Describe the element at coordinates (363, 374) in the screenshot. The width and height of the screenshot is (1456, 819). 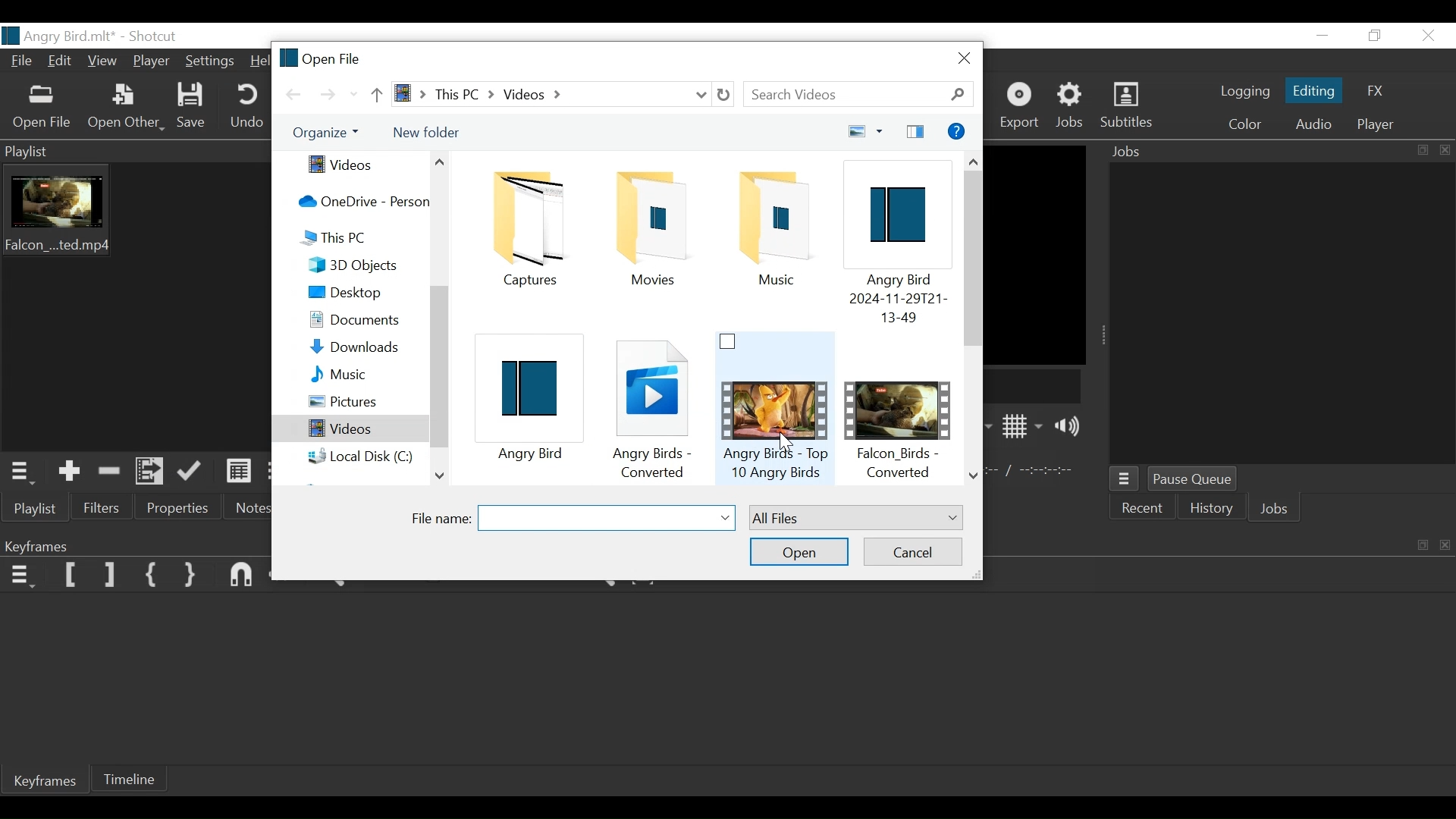
I see `Music` at that location.